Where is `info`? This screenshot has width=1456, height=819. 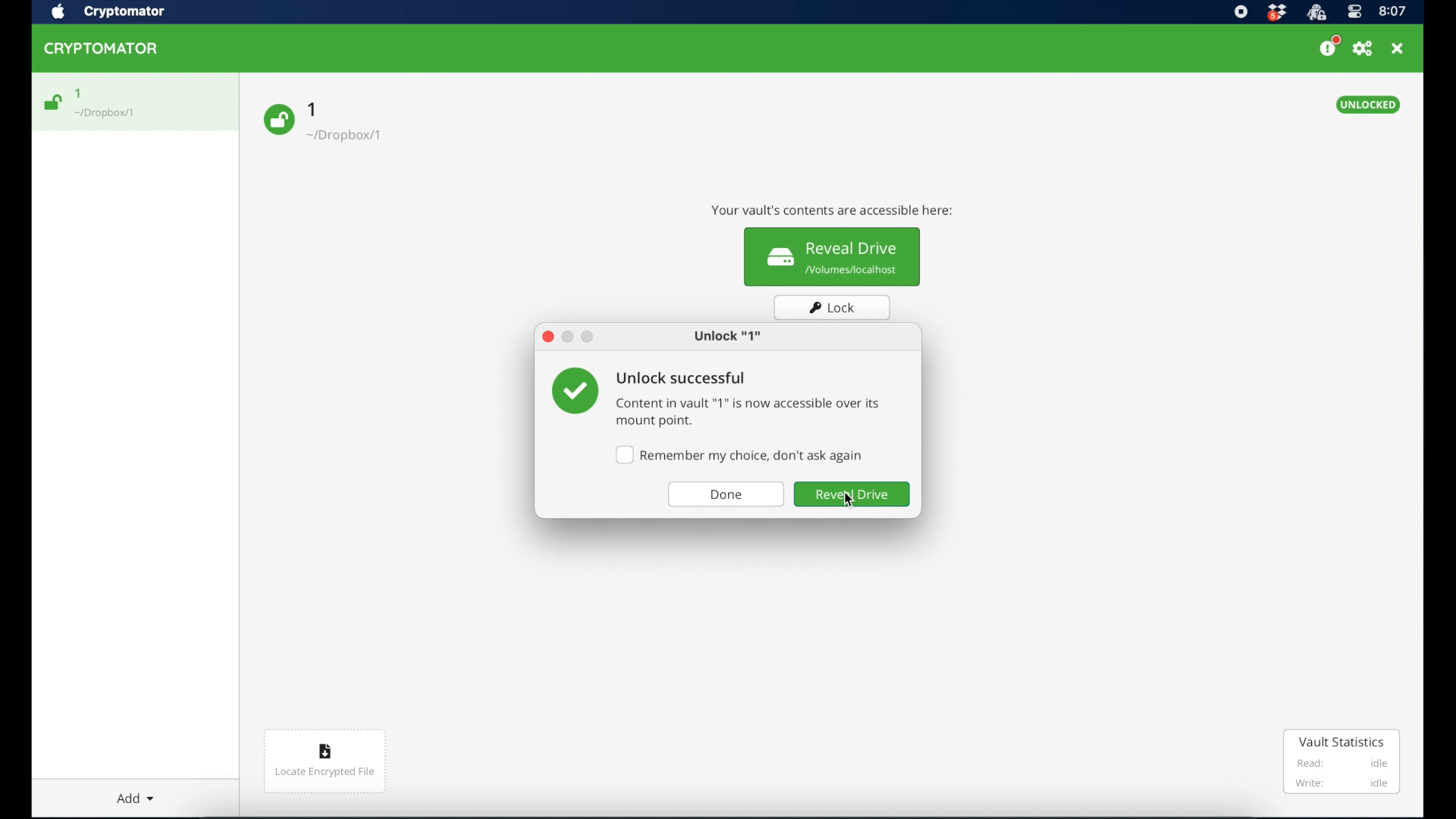
info is located at coordinates (748, 413).